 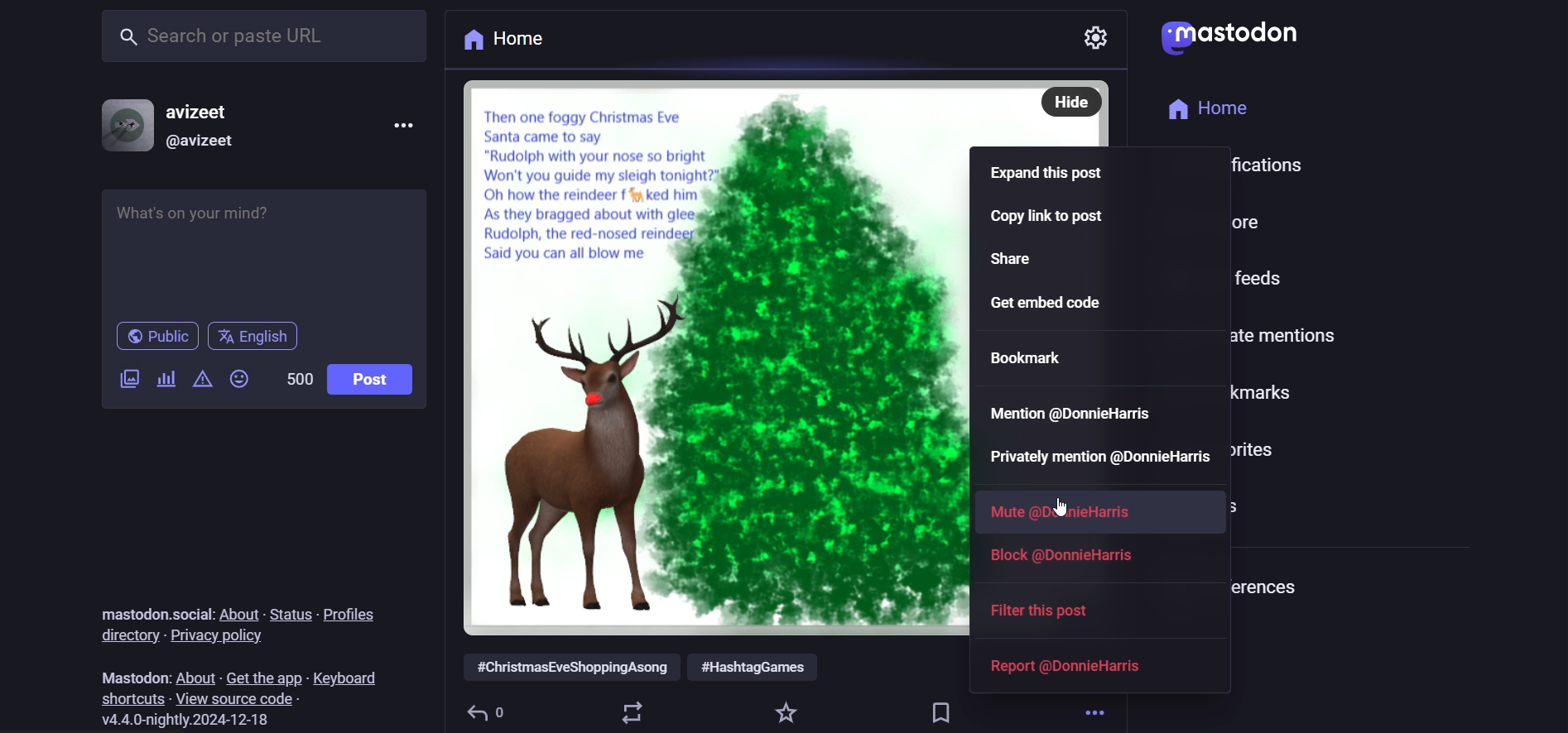 What do you see at coordinates (1093, 457) in the screenshot?
I see `privately mention @DonnieHarris` at bounding box center [1093, 457].